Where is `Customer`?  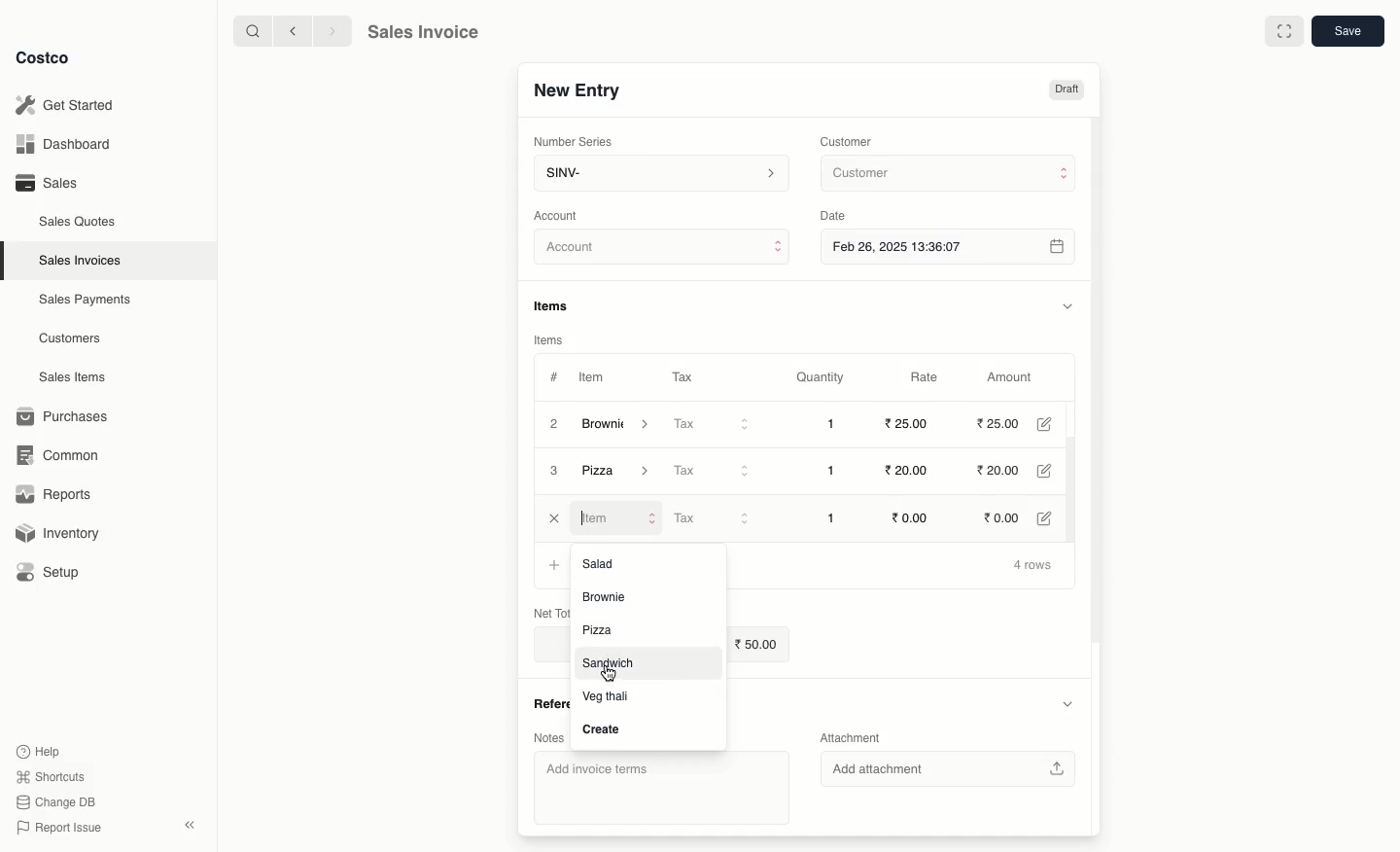 Customer is located at coordinates (849, 140).